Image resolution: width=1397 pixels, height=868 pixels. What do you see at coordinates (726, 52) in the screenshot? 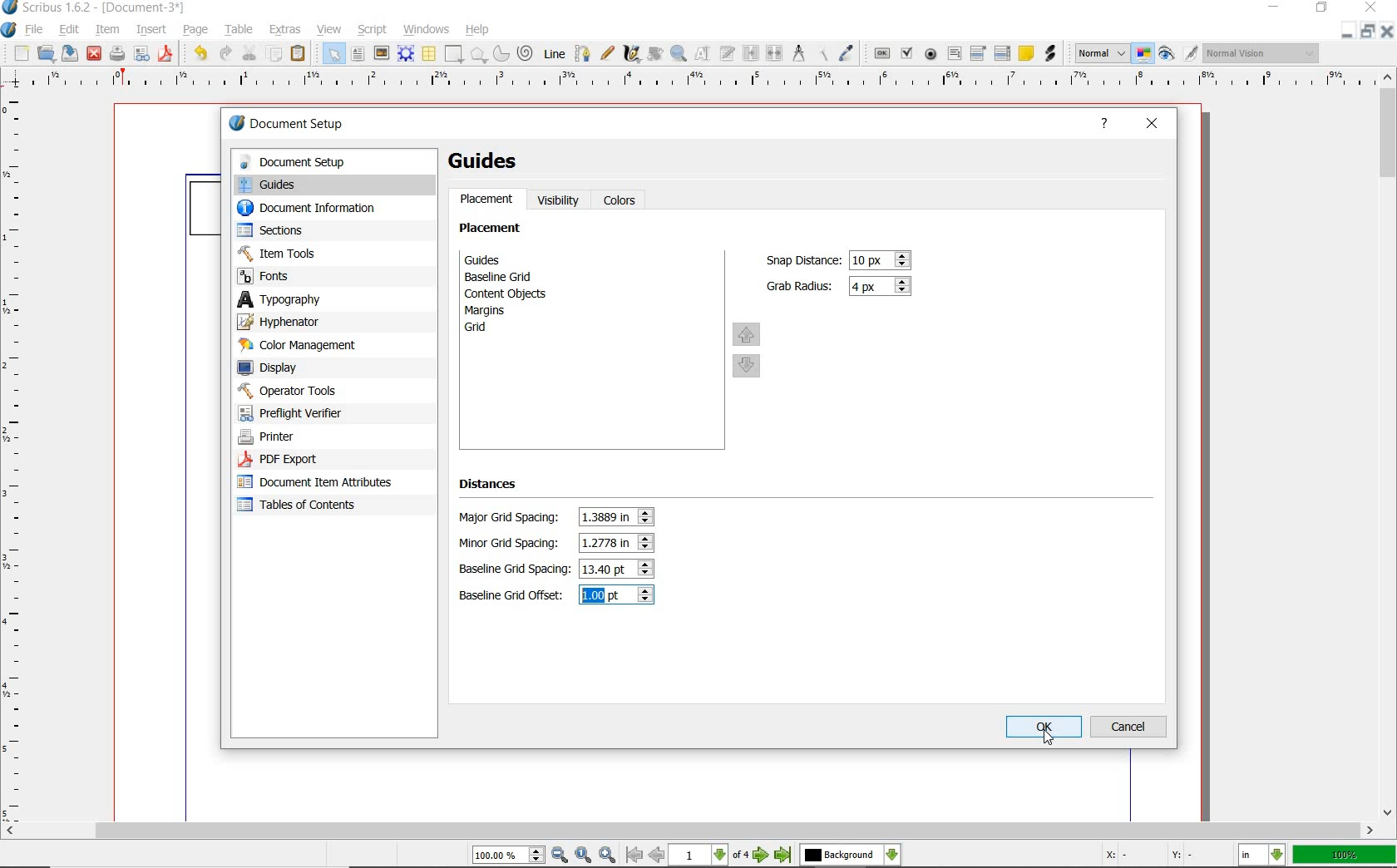
I see `edit text with story editor` at bounding box center [726, 52].